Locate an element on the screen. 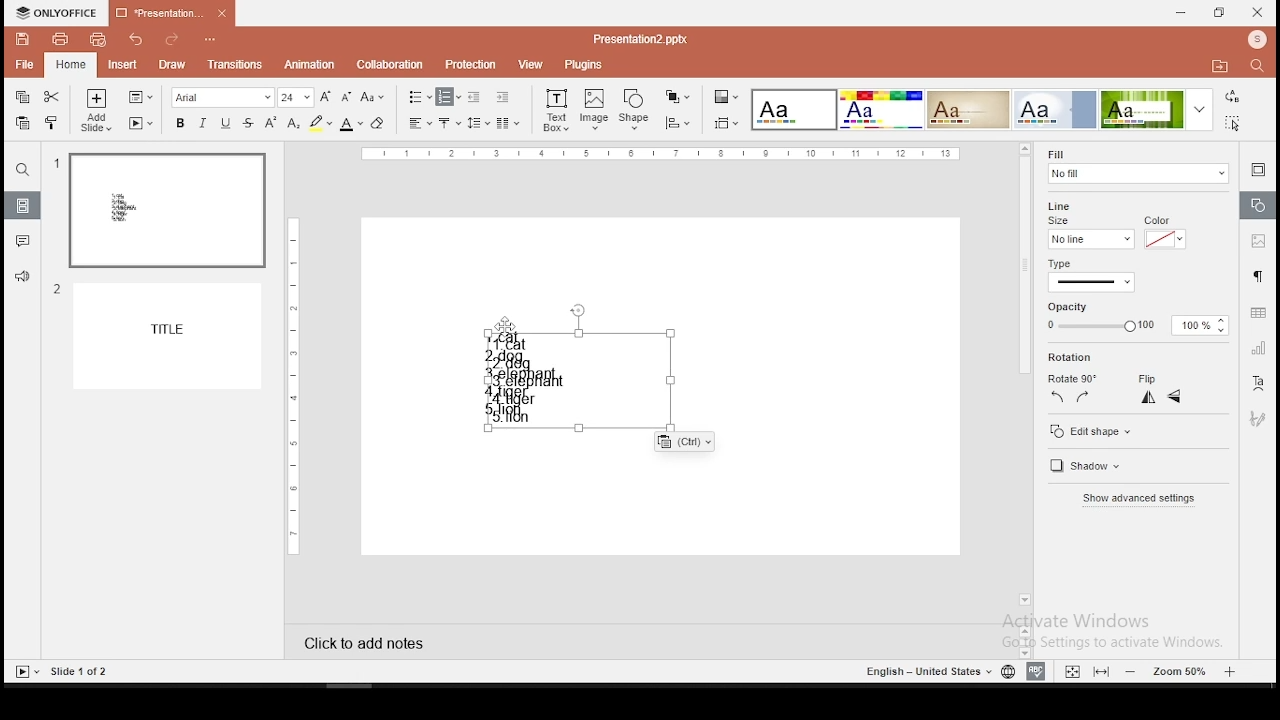  slides is located at coordinates (23, 205).